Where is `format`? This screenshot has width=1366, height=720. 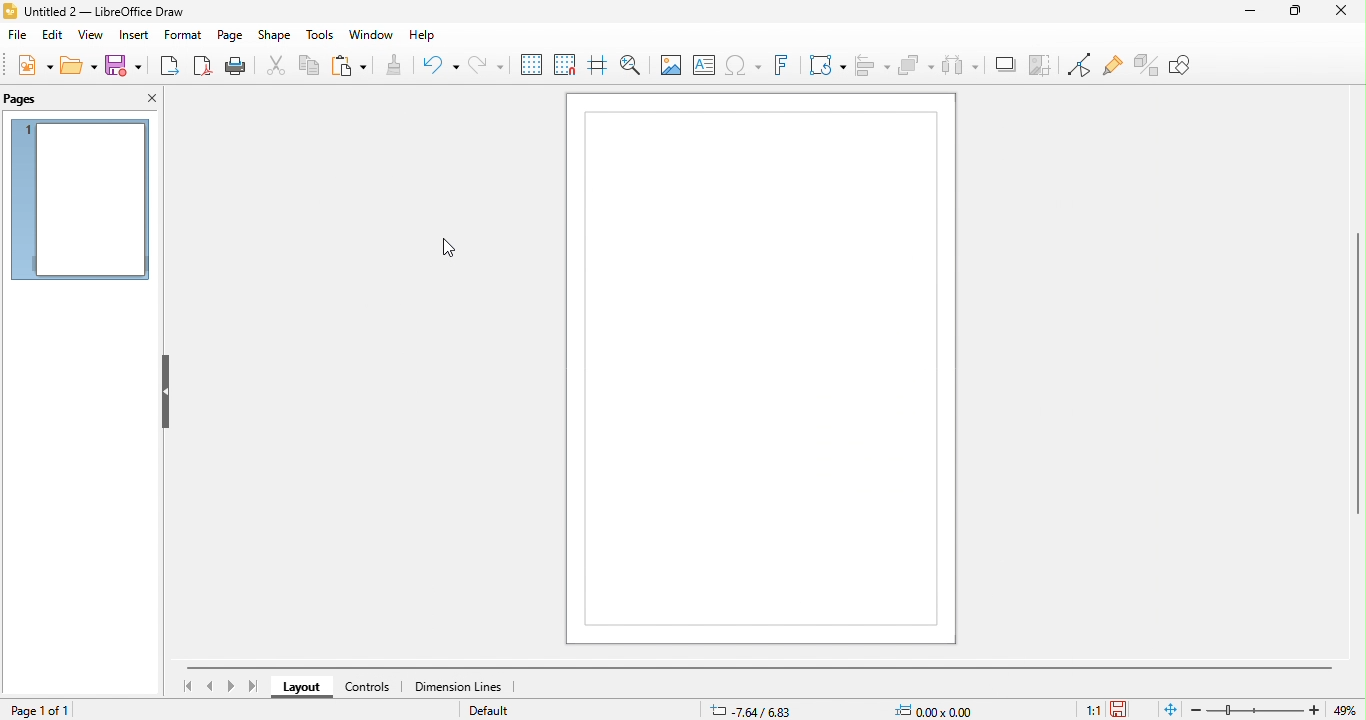 format is located at coordinates (183, 35).